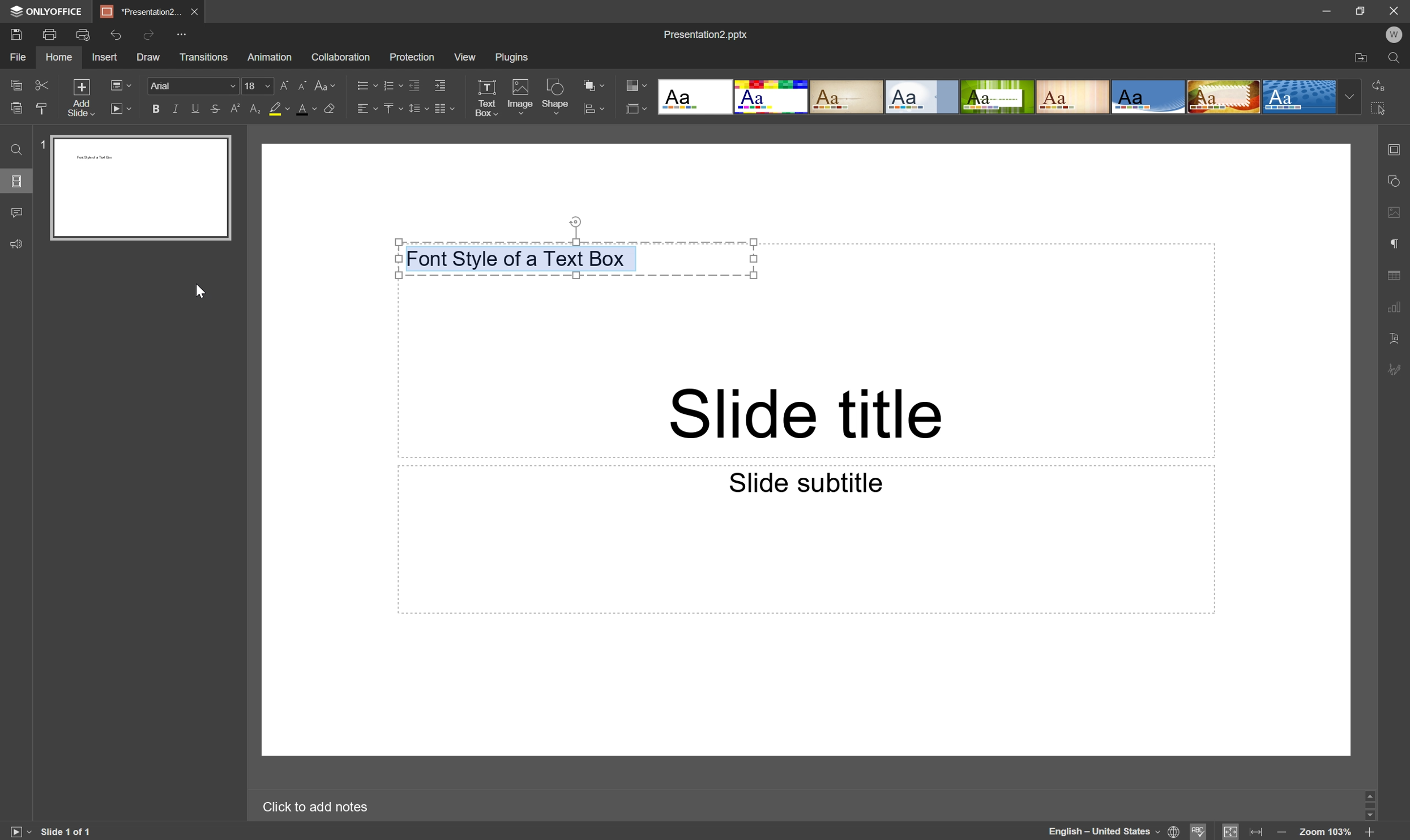 The image size is (1410, 840). What do you see at coordinates (302, 83) in the screenshot?
I see `Decrement font size` at bounding box center [302, 83].